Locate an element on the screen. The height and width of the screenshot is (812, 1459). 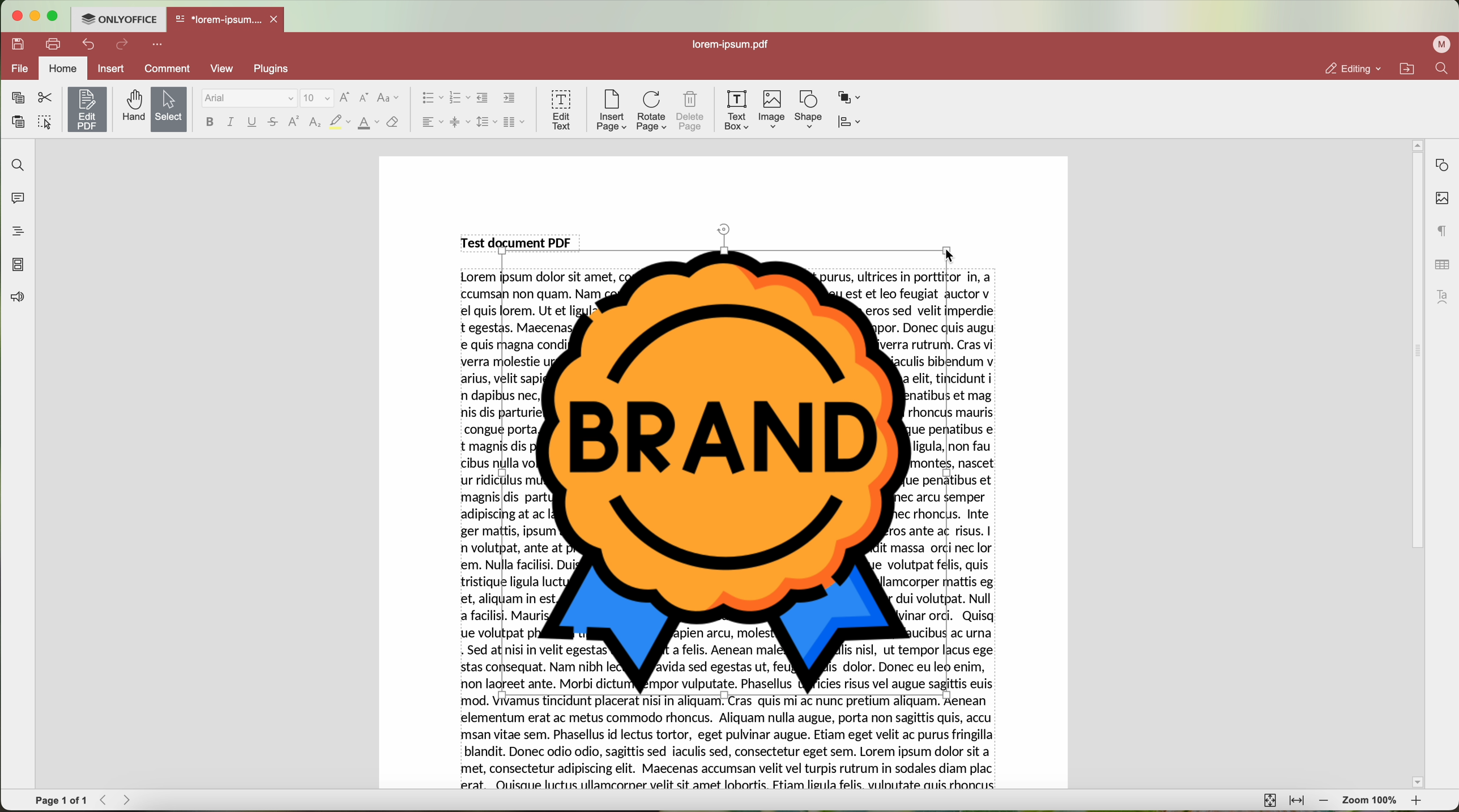
plugins is located at coordinates (278, 69).